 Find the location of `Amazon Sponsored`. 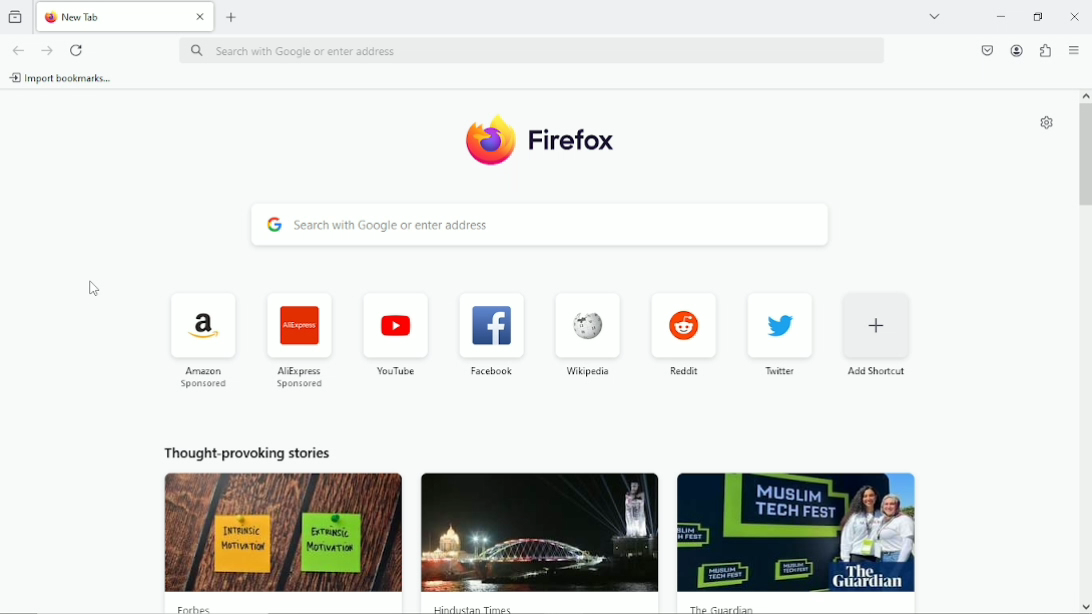

Amazon Sponsored is located at coordinates (200, 339).